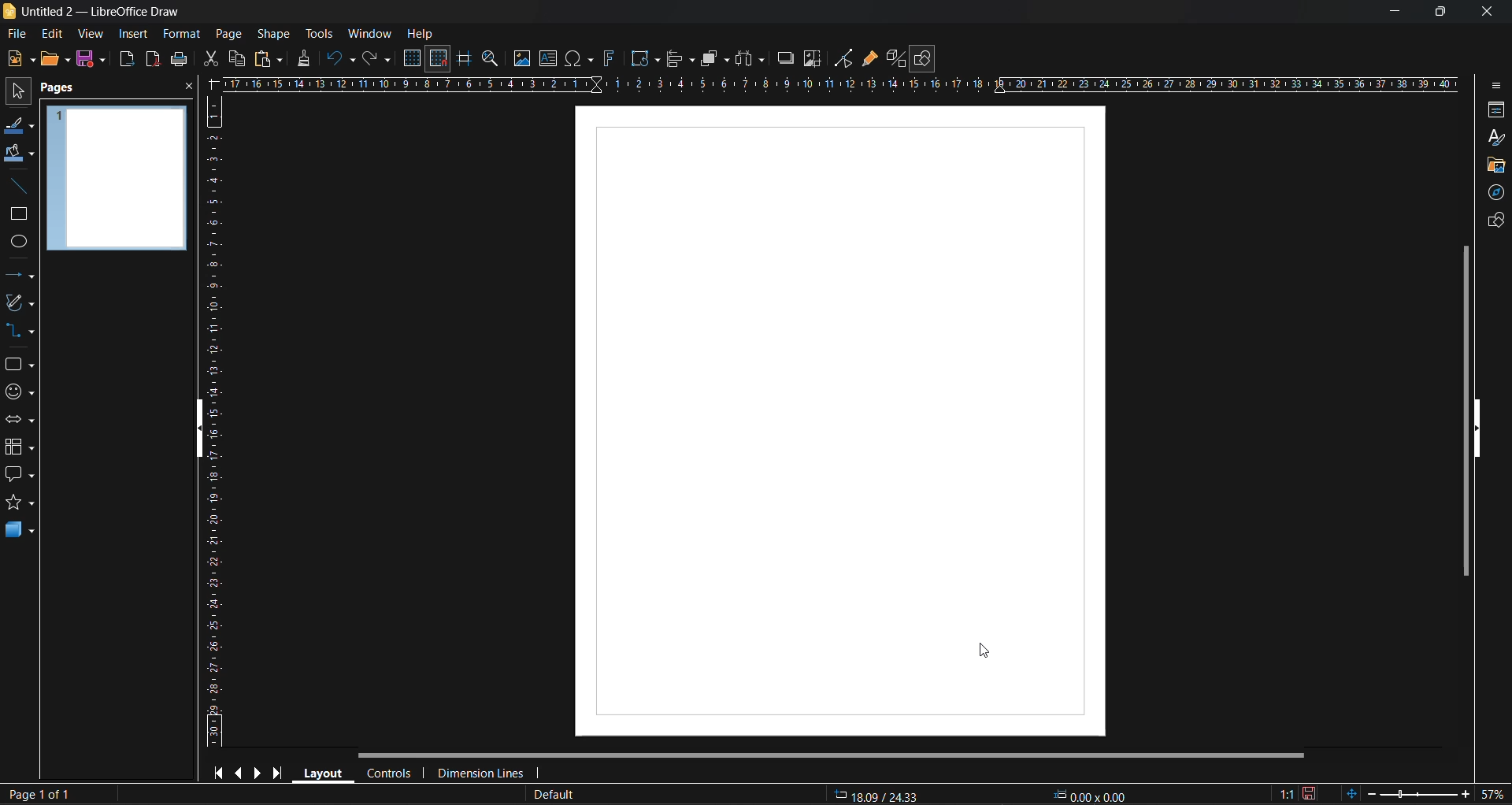  What do you see at coordinates (1309, 793) in the screenshot?
I see `click to save` at bounding box center [1309, 793].